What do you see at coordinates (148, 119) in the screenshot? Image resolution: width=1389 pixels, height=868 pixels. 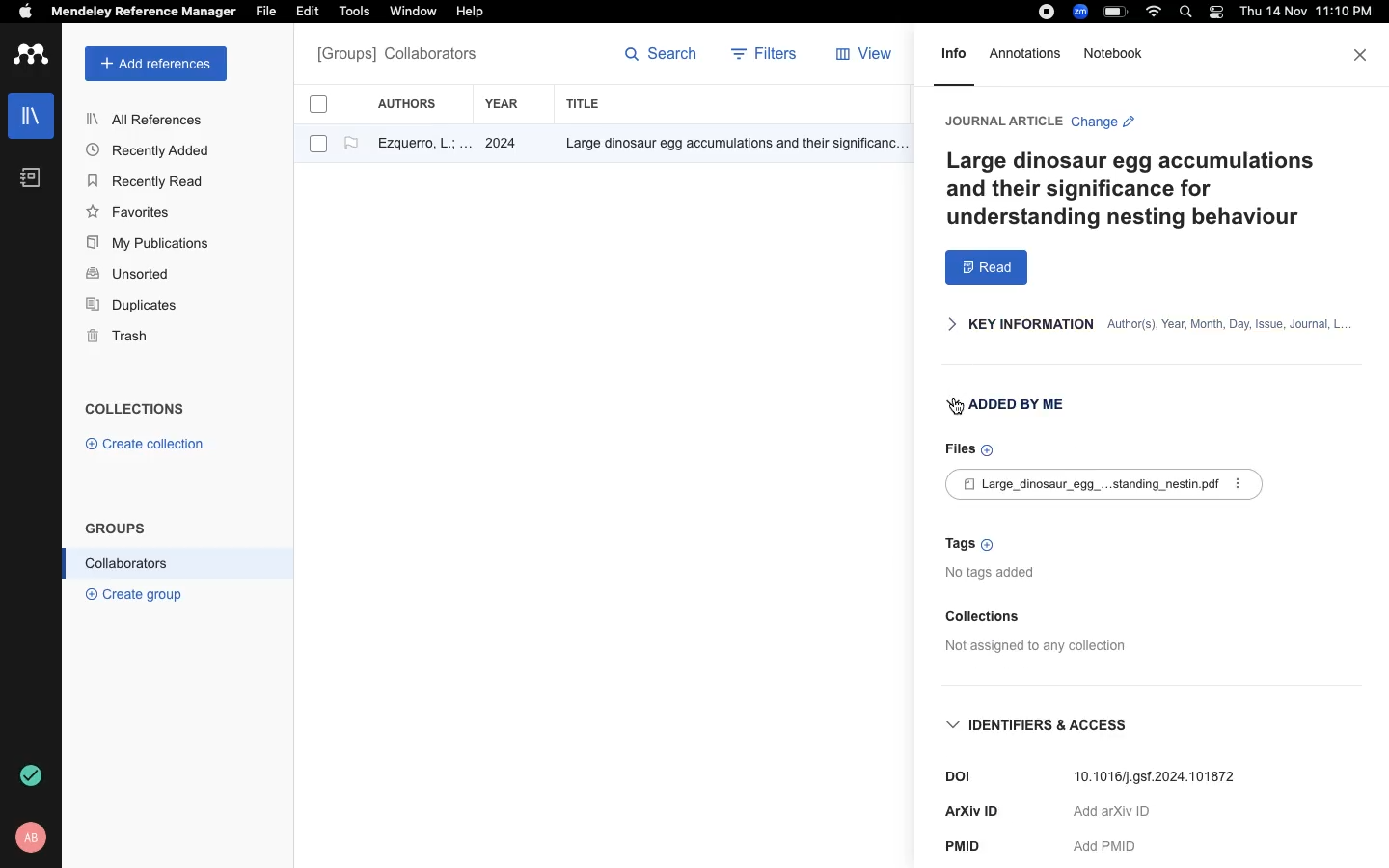 I see `All References` at bounding box center [148, 119].